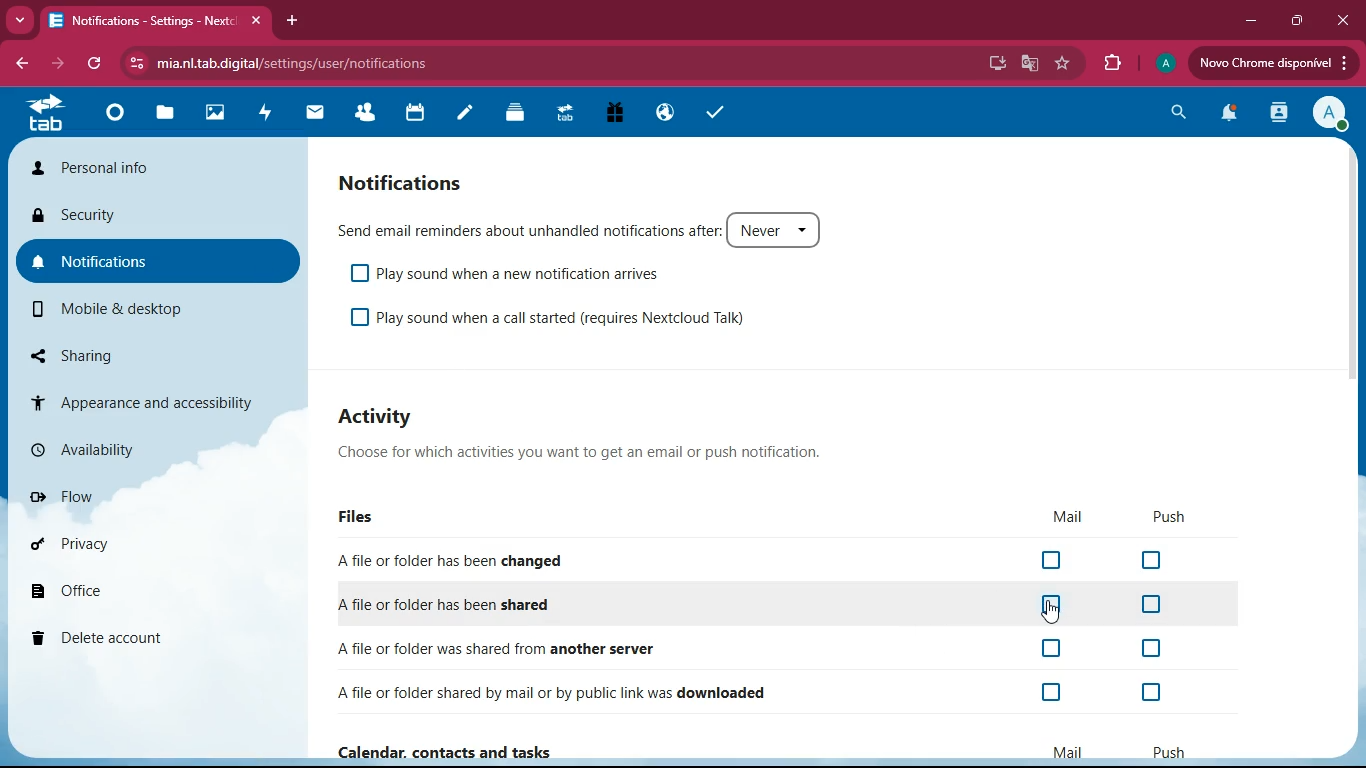  I want to click on images, so click(215, 115).